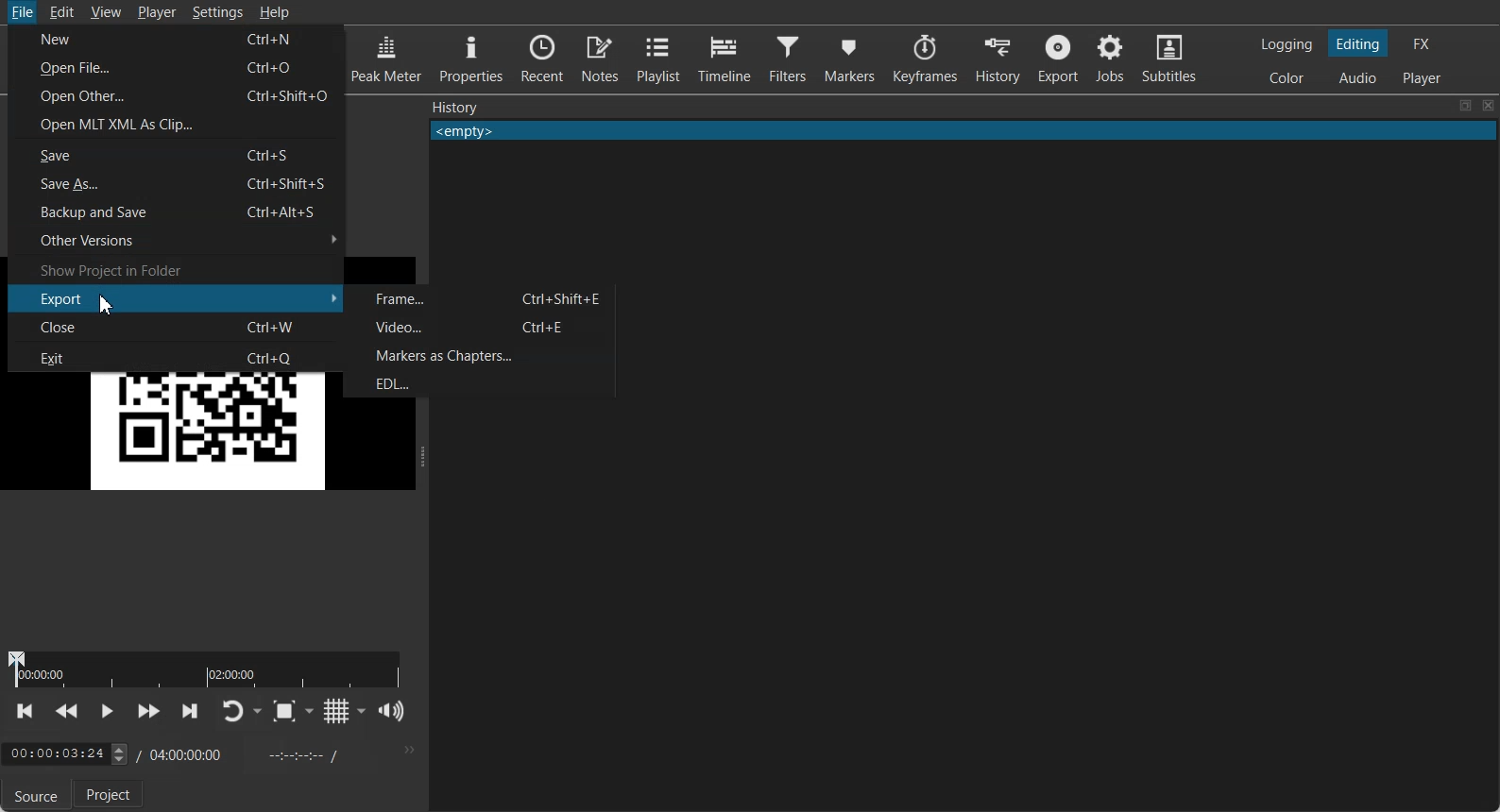 The image size is (1500, 812). Describe the element at coordinates (104, 184) in the screenshot. I see `Save As` at that location.